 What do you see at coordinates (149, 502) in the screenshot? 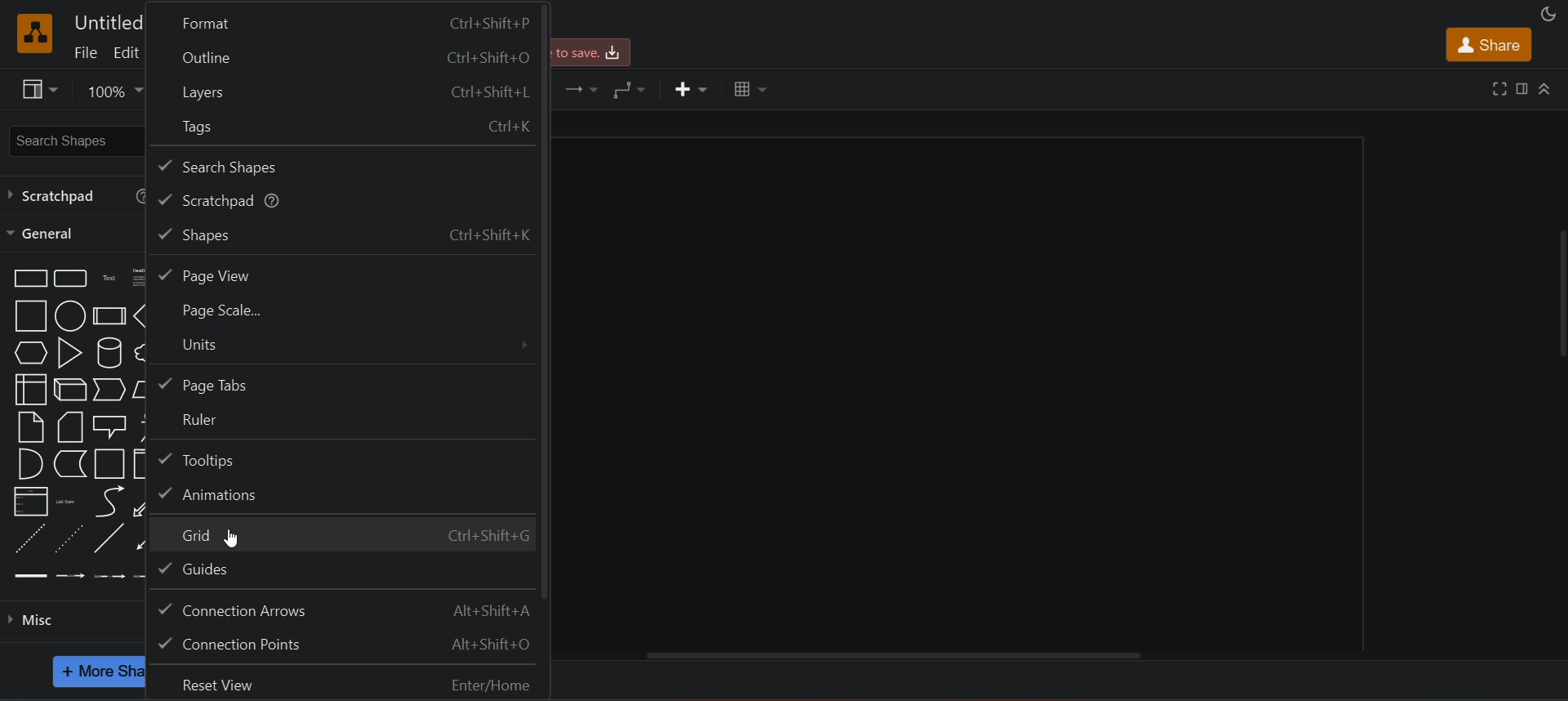
I see `bidirectional arrow` at bounding box center [149, 502].